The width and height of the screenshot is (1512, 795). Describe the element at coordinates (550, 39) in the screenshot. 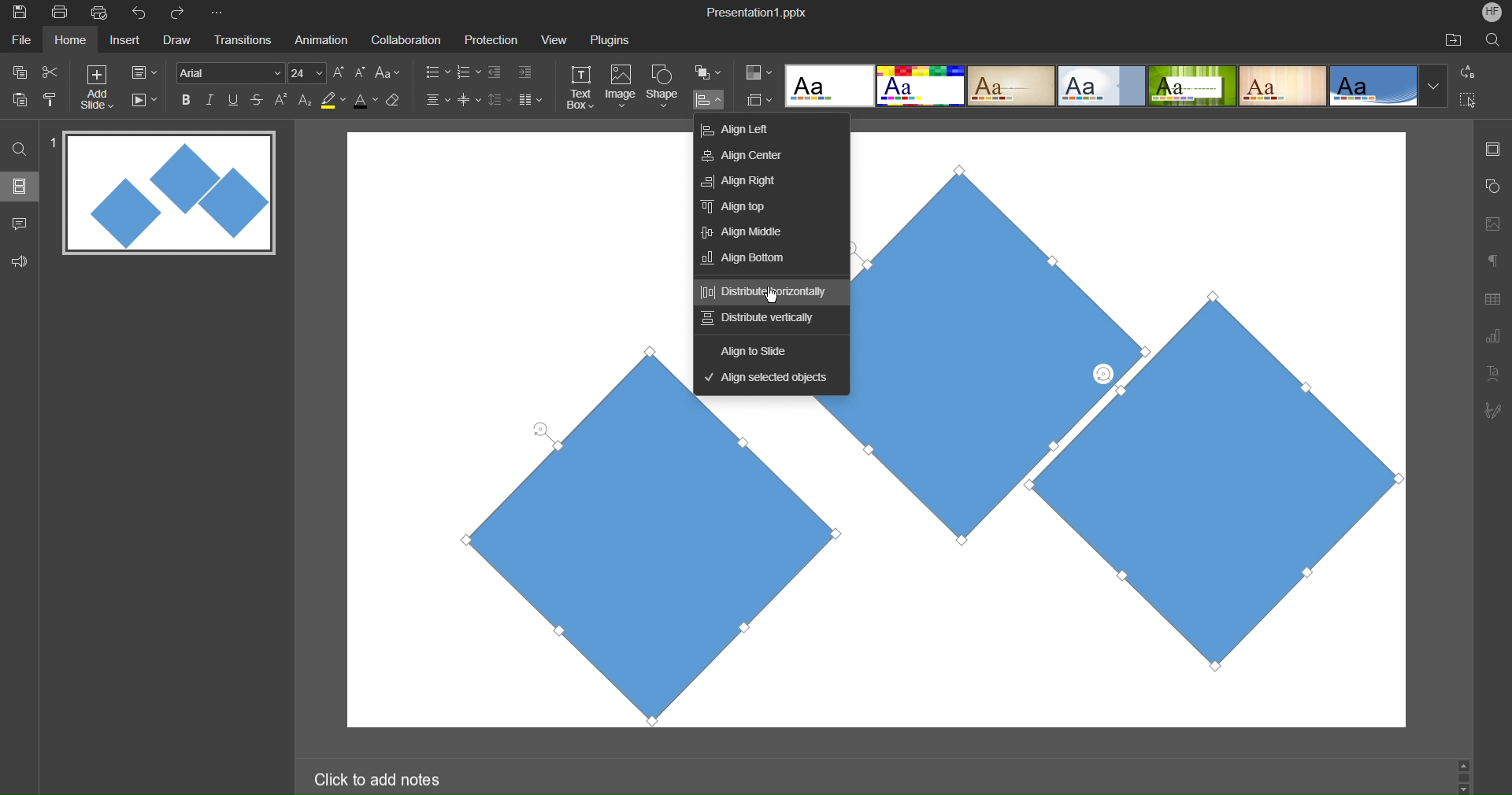

I see `View` at that location.